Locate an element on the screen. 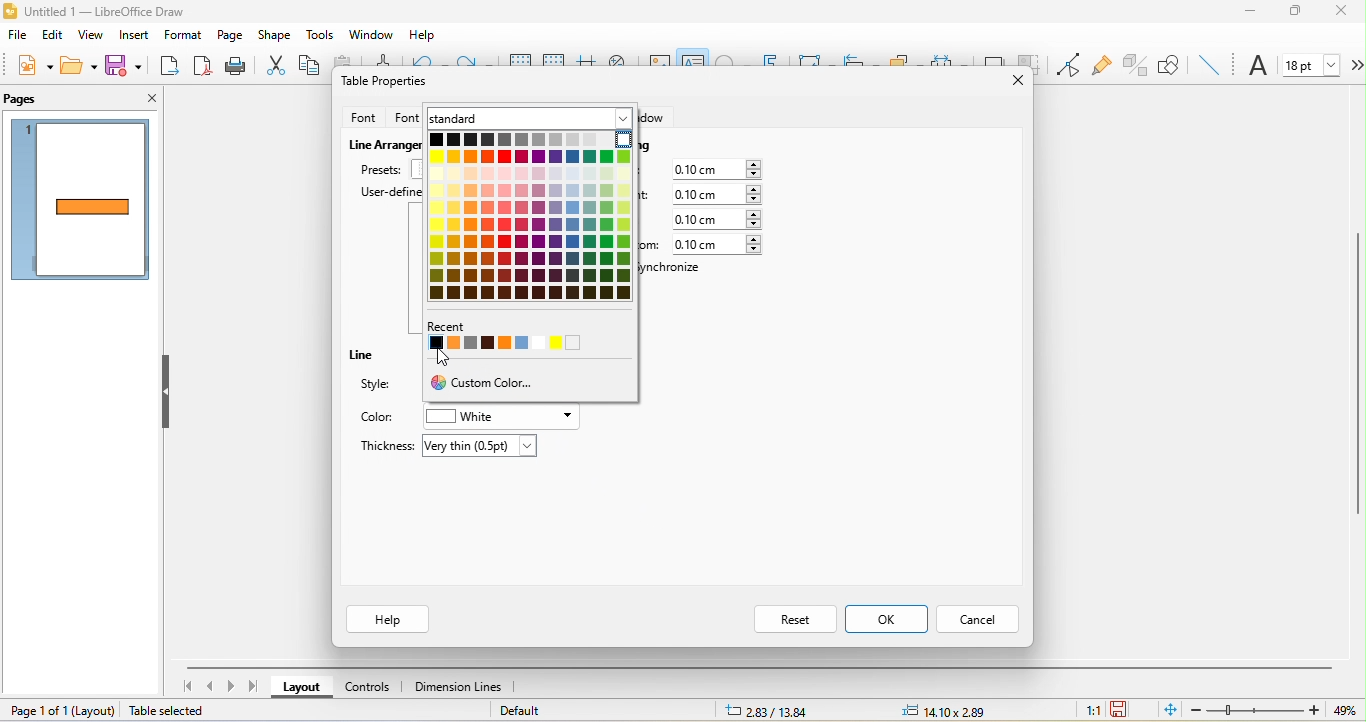 Image resolution: width=1366 pixels, height=722 pixels. horizontal scroll bar is located at coordinates (759, 667).